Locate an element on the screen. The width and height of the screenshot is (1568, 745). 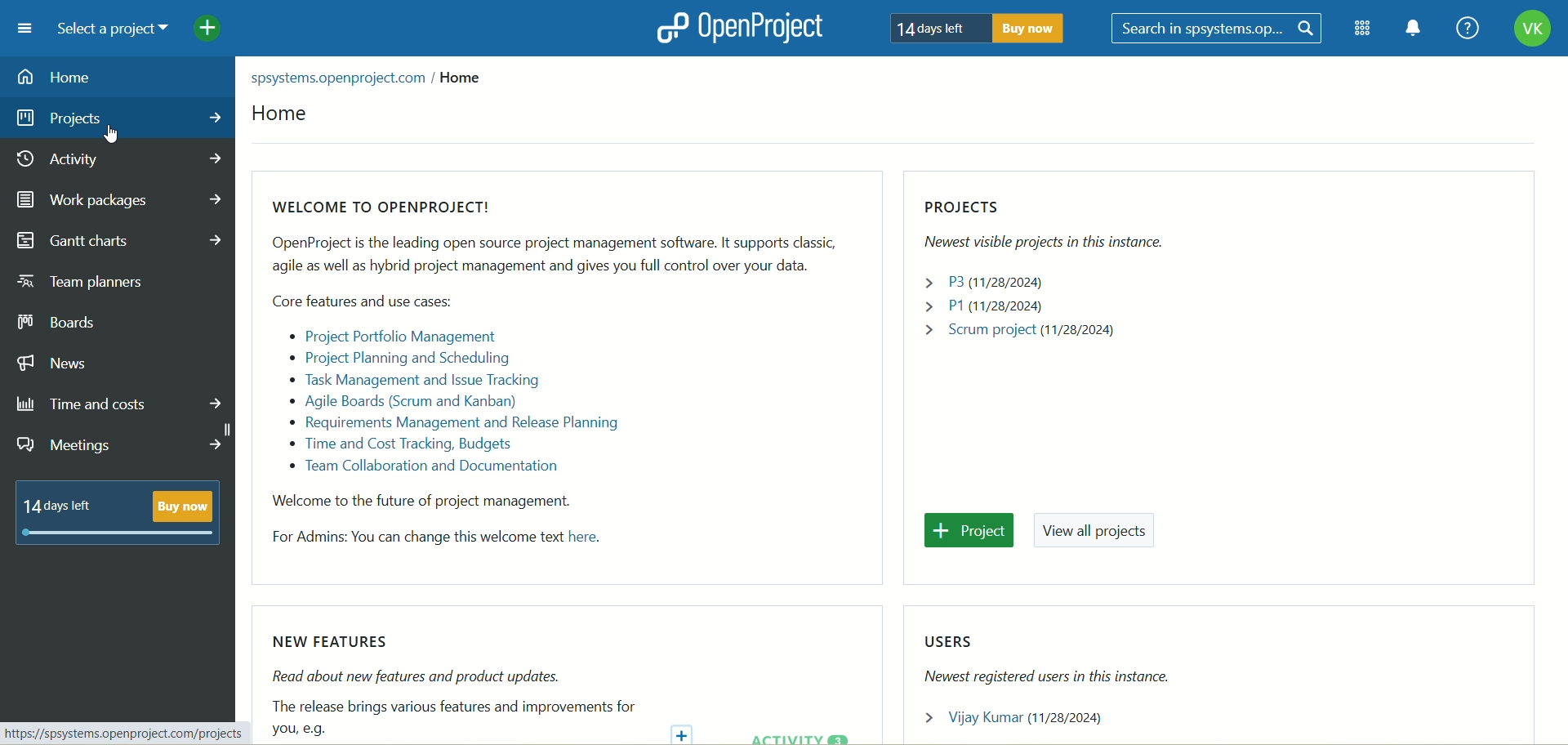
project is located at coordinates (961, 529).